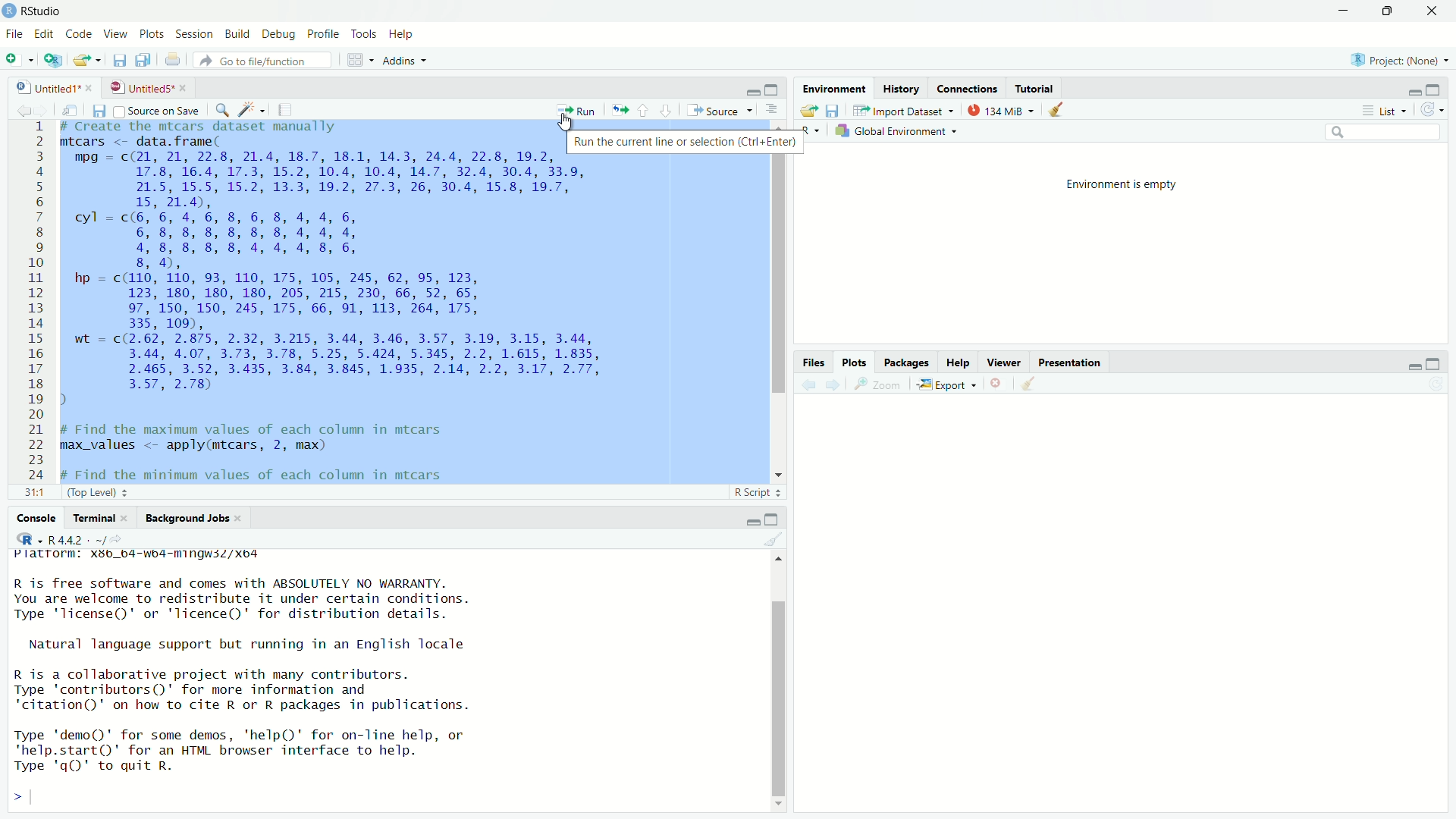 This screenshot has width=1456, height=819. What do you see at coordinates (968, 88) in the screenshot?
I see `‘Connections` at bounding box center [968, 88].